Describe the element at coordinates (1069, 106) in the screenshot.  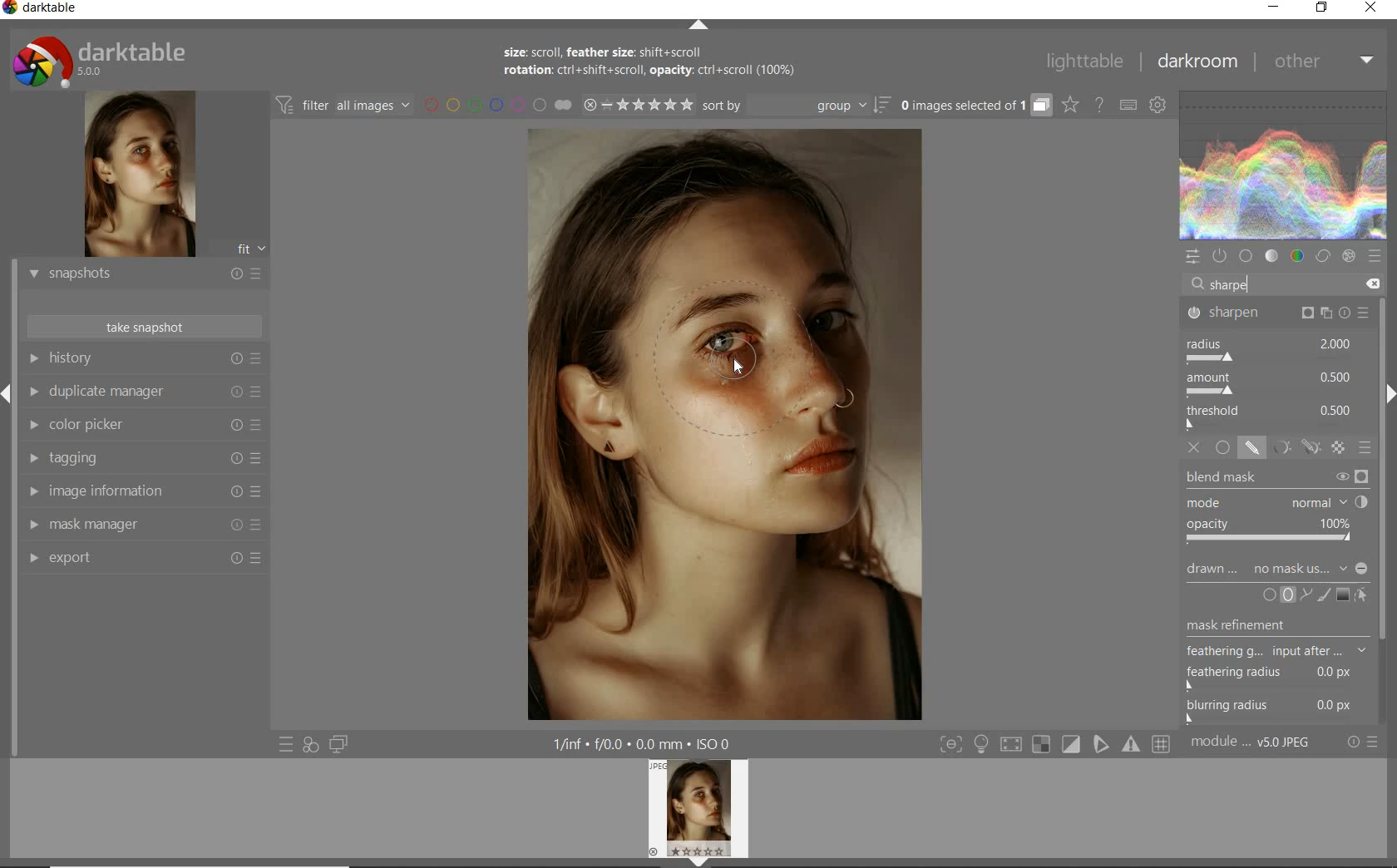
I see `change overlays shown on thumbnails` at that location.